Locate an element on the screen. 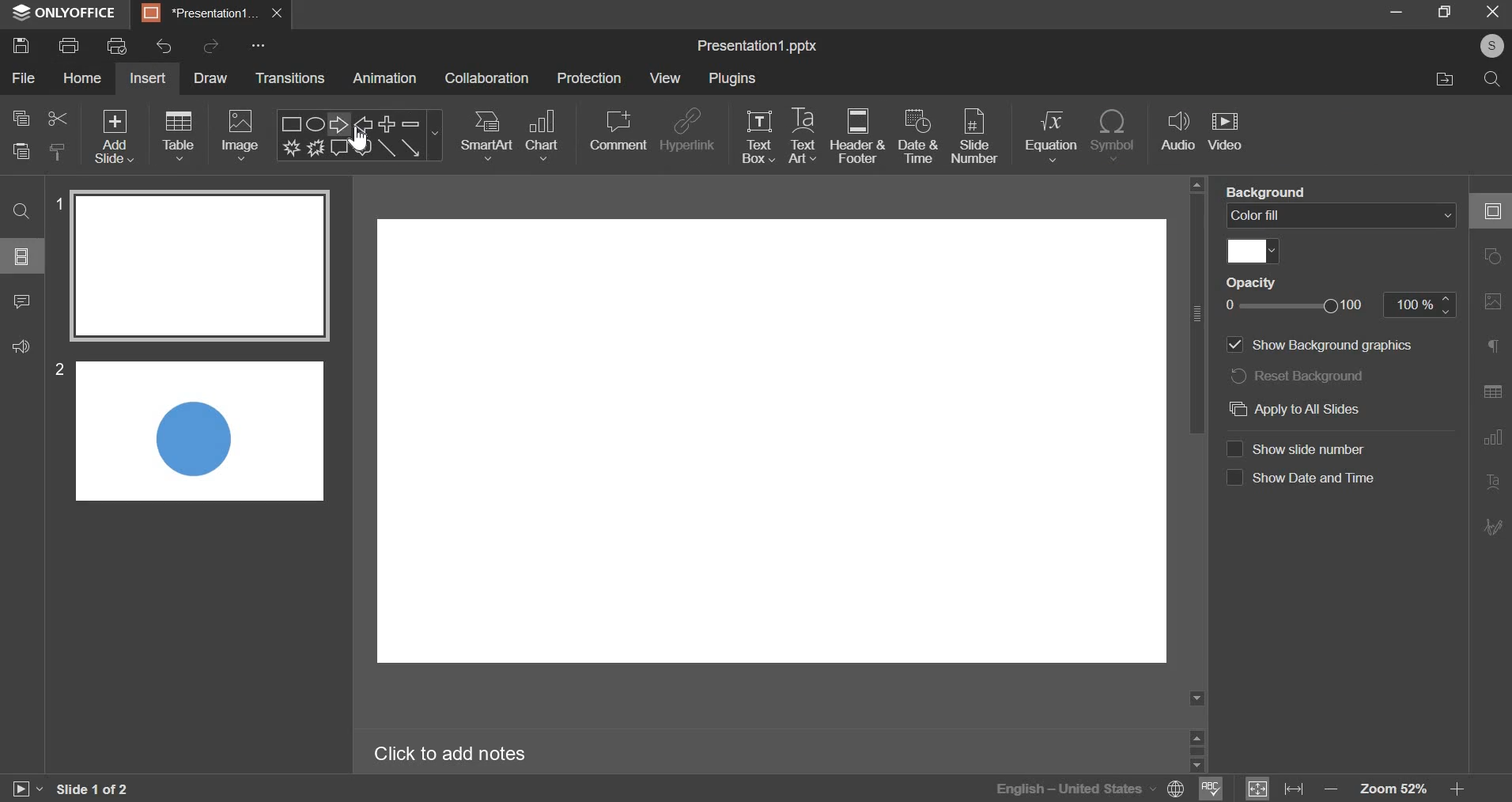 This screenshot has height=802, width=1512. decrease zoom is located at coordinates (1332, 789).